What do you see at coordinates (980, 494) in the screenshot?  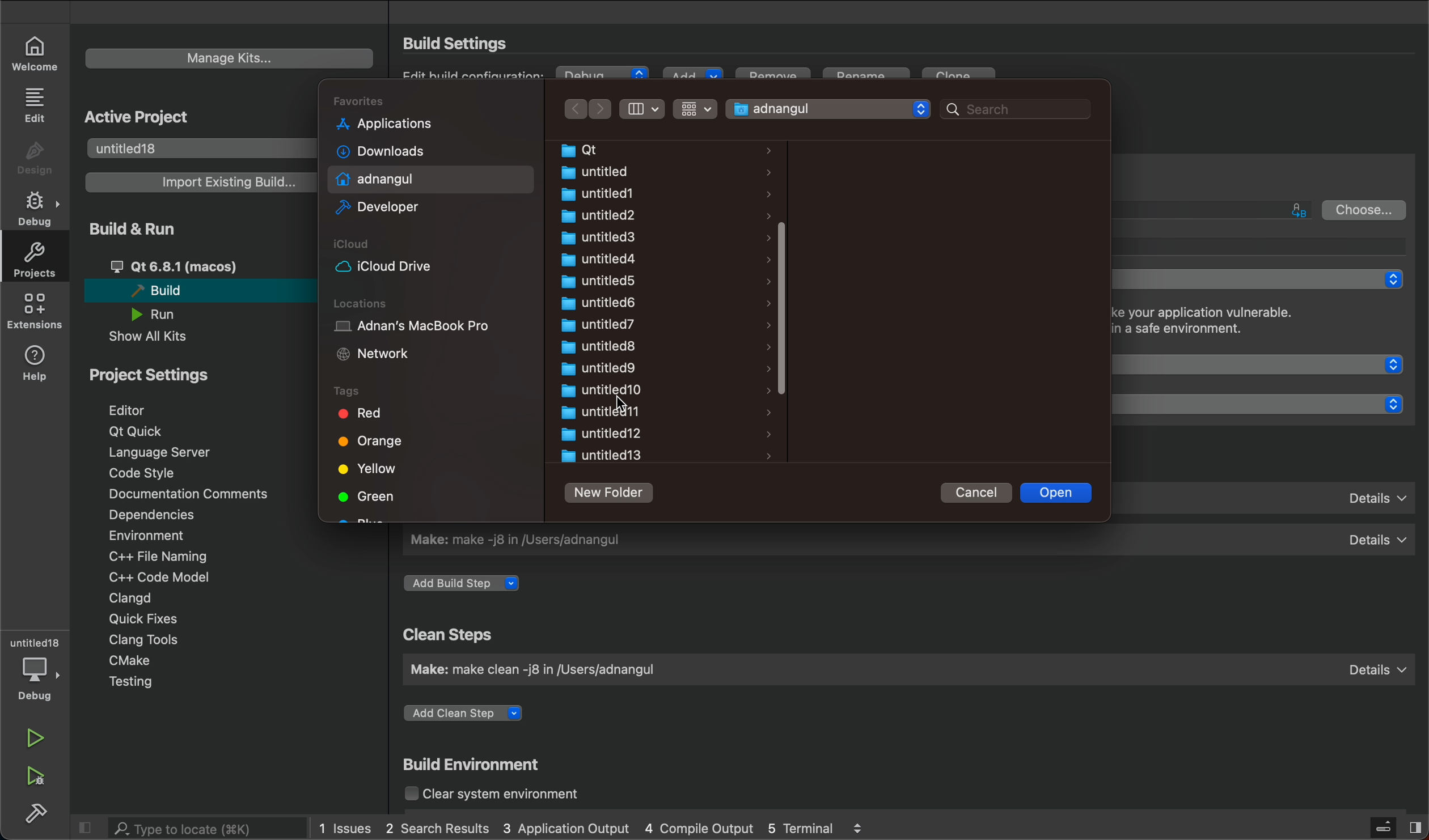 I see `cancel` at bounding box center [980, 494].